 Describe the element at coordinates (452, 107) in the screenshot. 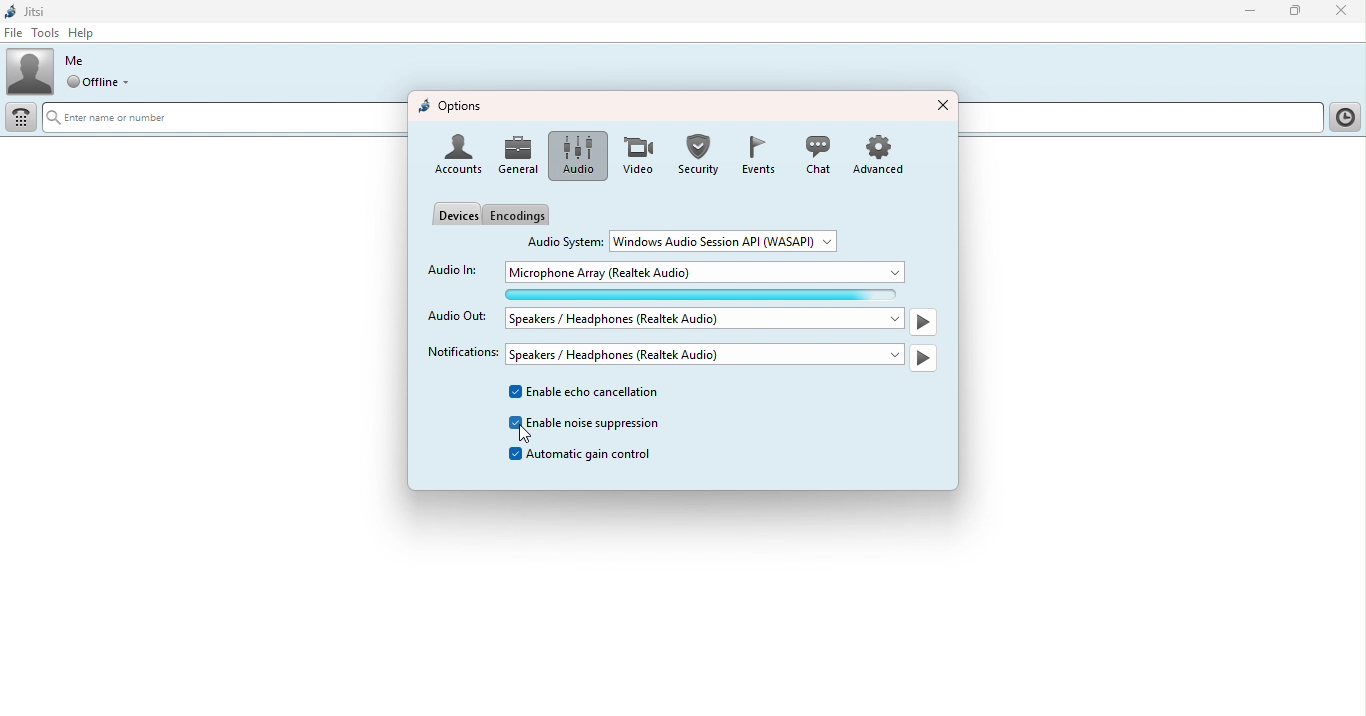

I see `Options` at that location.